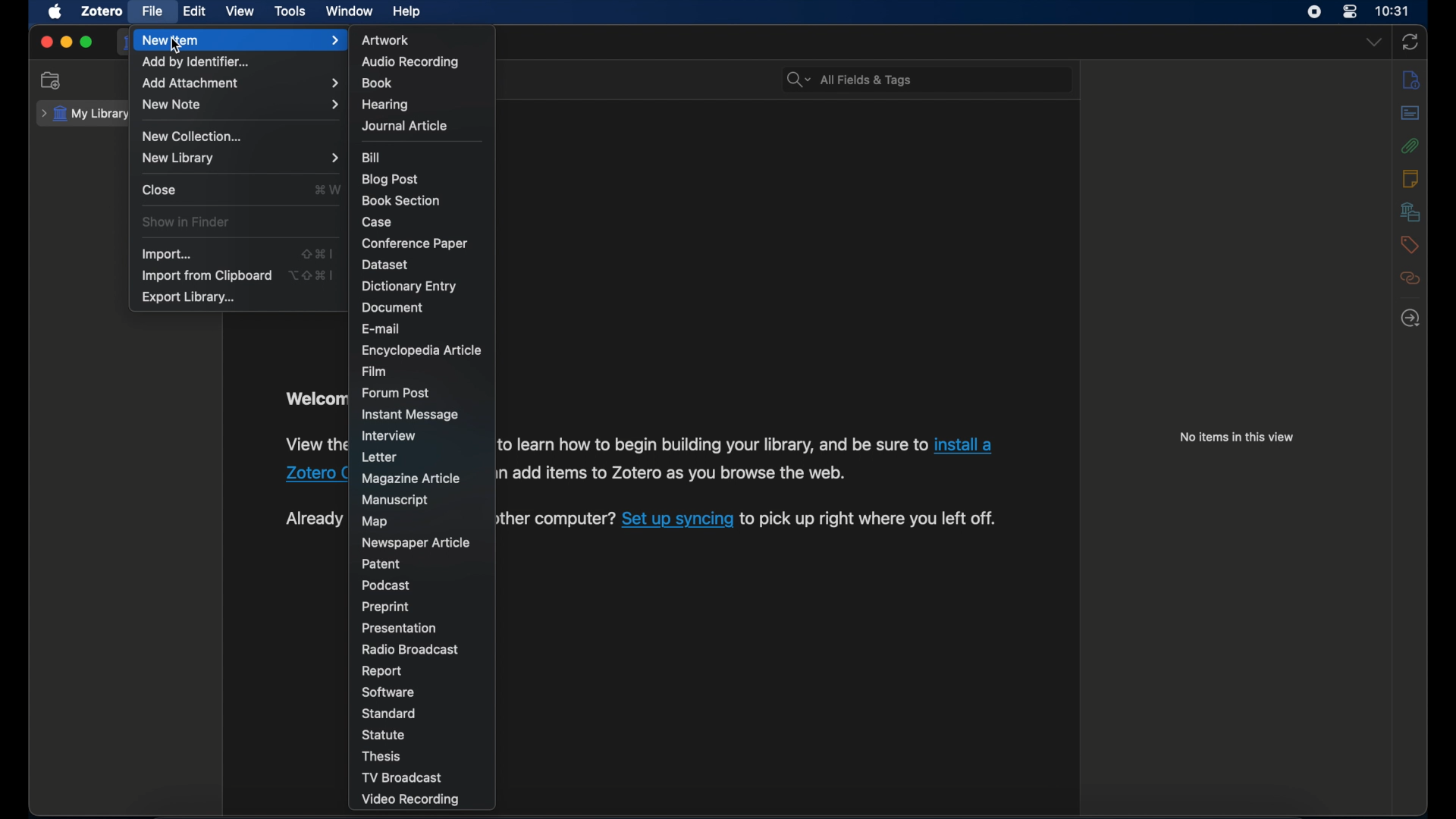 Image resolution: width=1456 pixels, height=819 pixels. I want to click on shortcut, so click(312, 275).